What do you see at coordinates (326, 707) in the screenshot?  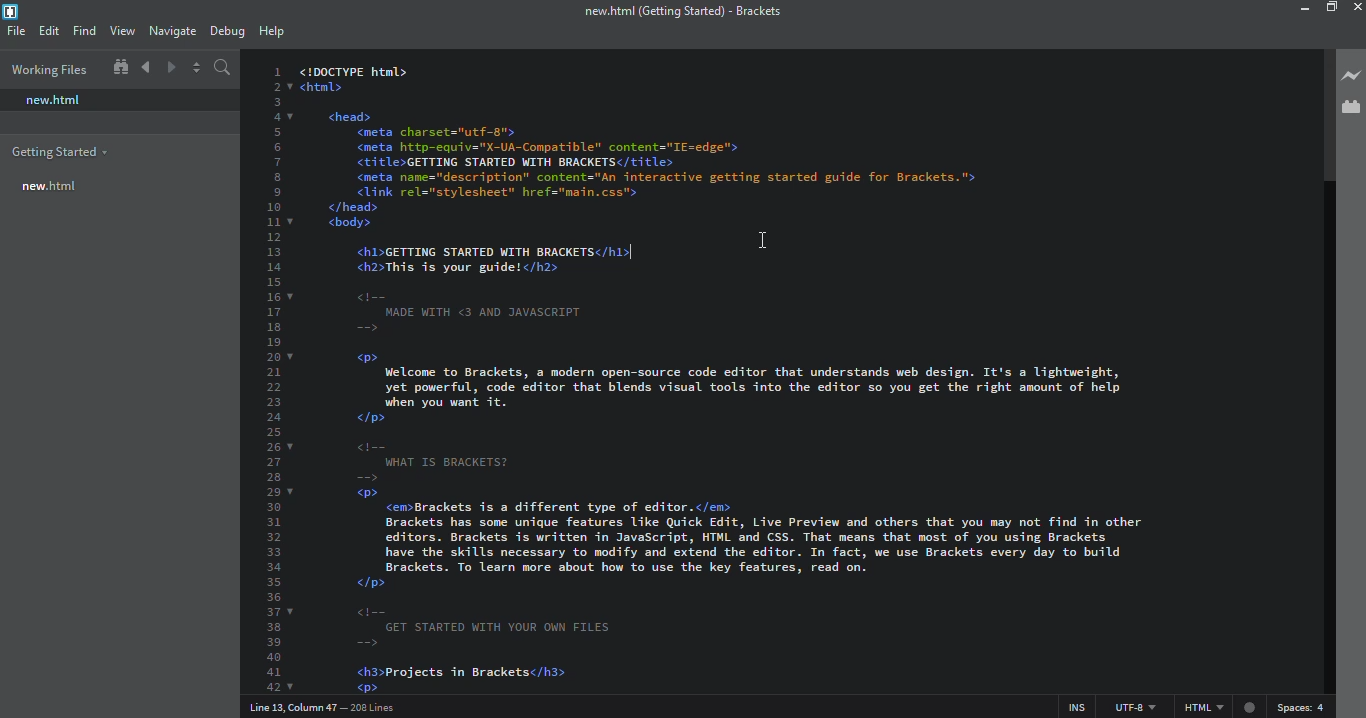 I see `line` at bounding box center [326, 707].